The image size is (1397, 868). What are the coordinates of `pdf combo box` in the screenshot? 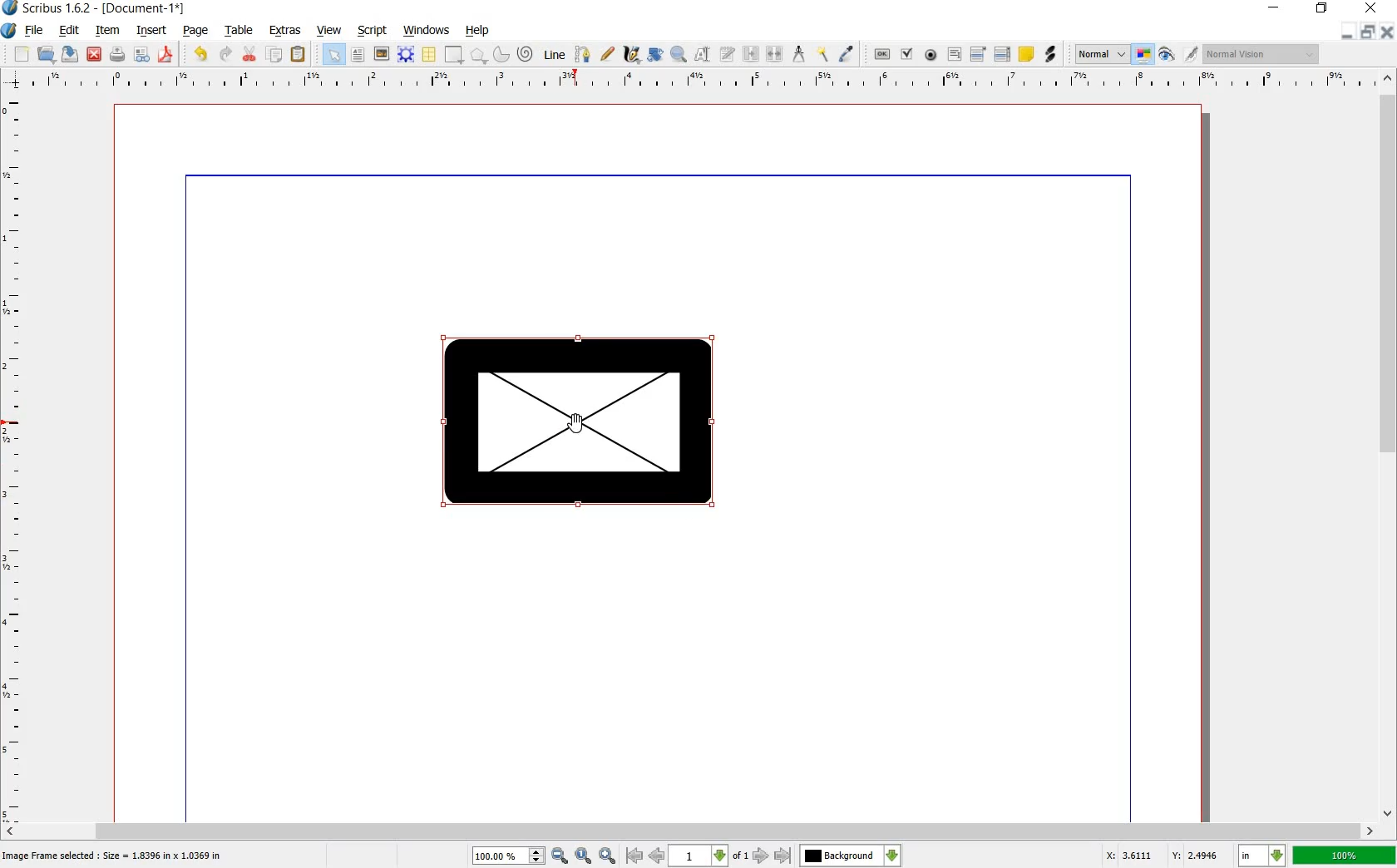 It's located at (978, 55).